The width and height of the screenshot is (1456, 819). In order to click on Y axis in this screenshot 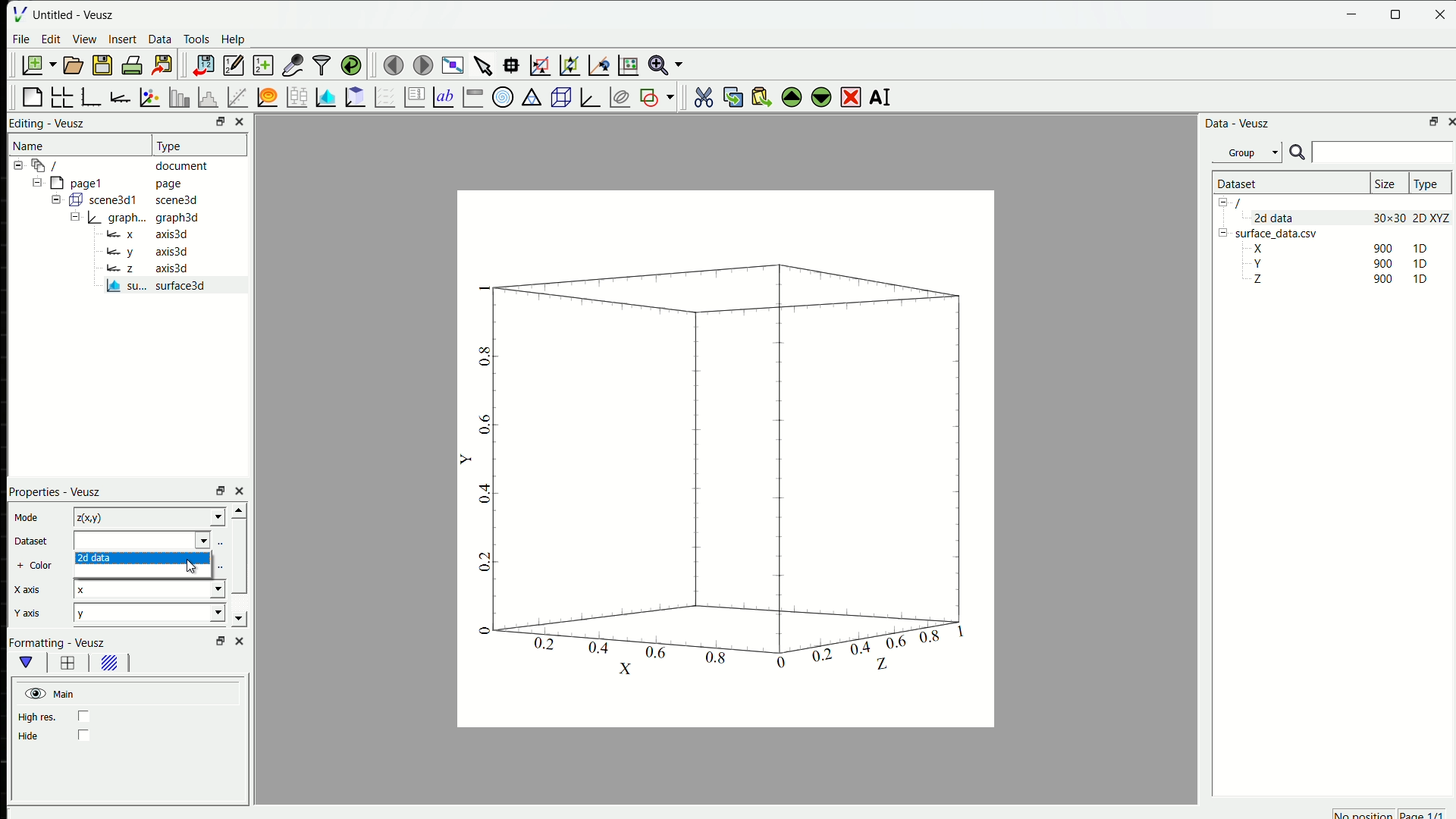, I will do `click(27, 613)`.